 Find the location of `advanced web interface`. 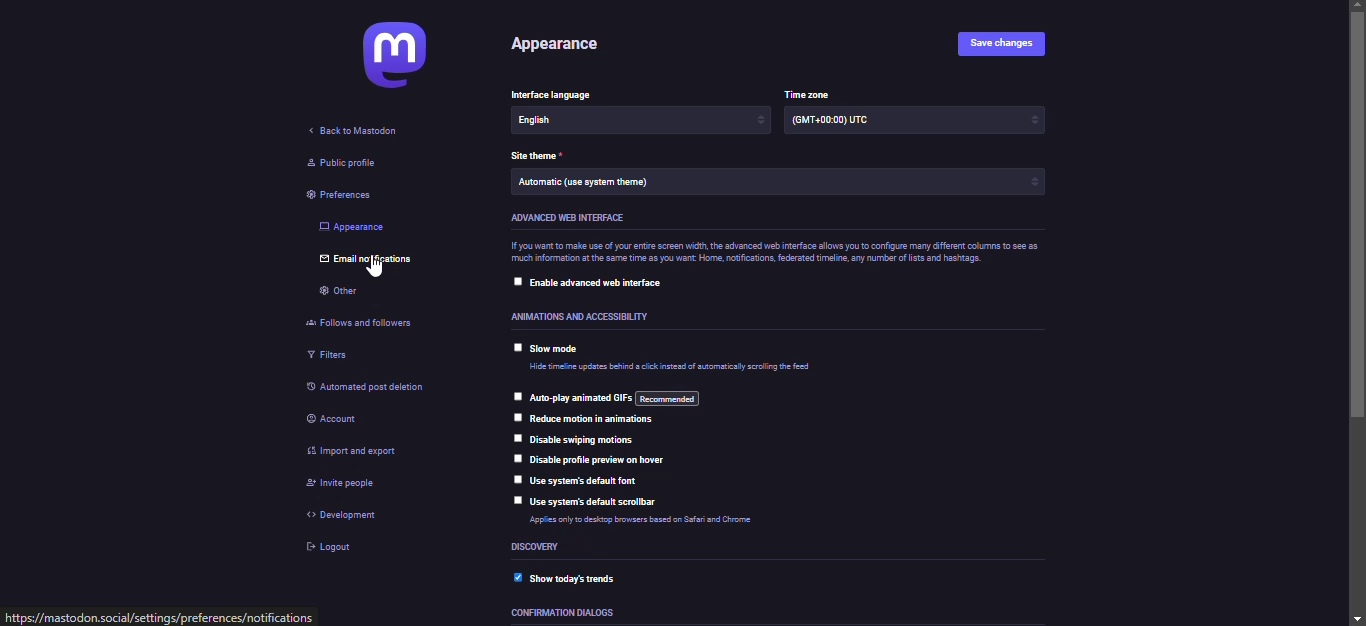

advanced web interface is located at coordinates (567, 217).